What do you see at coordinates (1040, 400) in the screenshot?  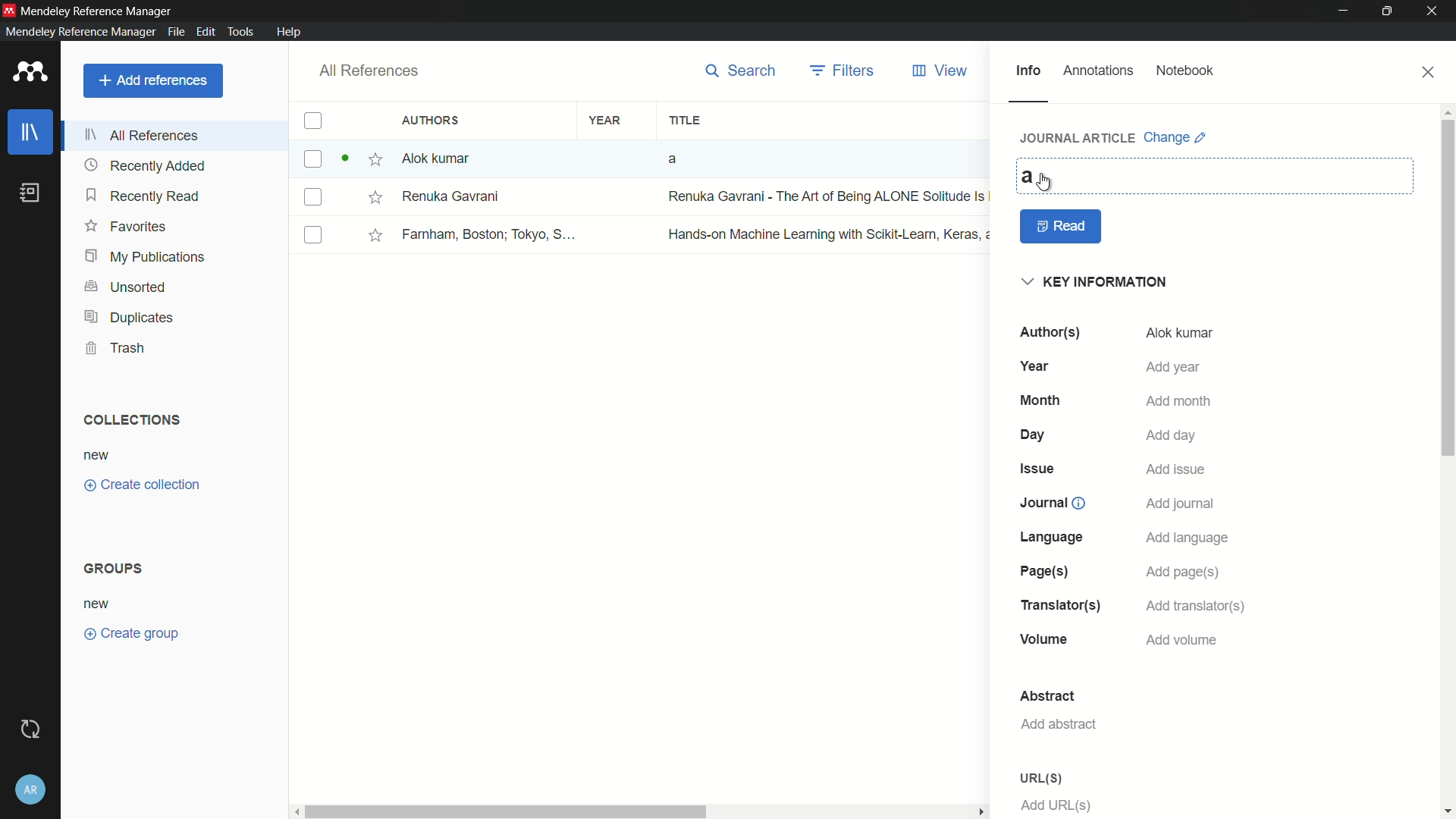 I see `month` at bounding box center [1040, 400].